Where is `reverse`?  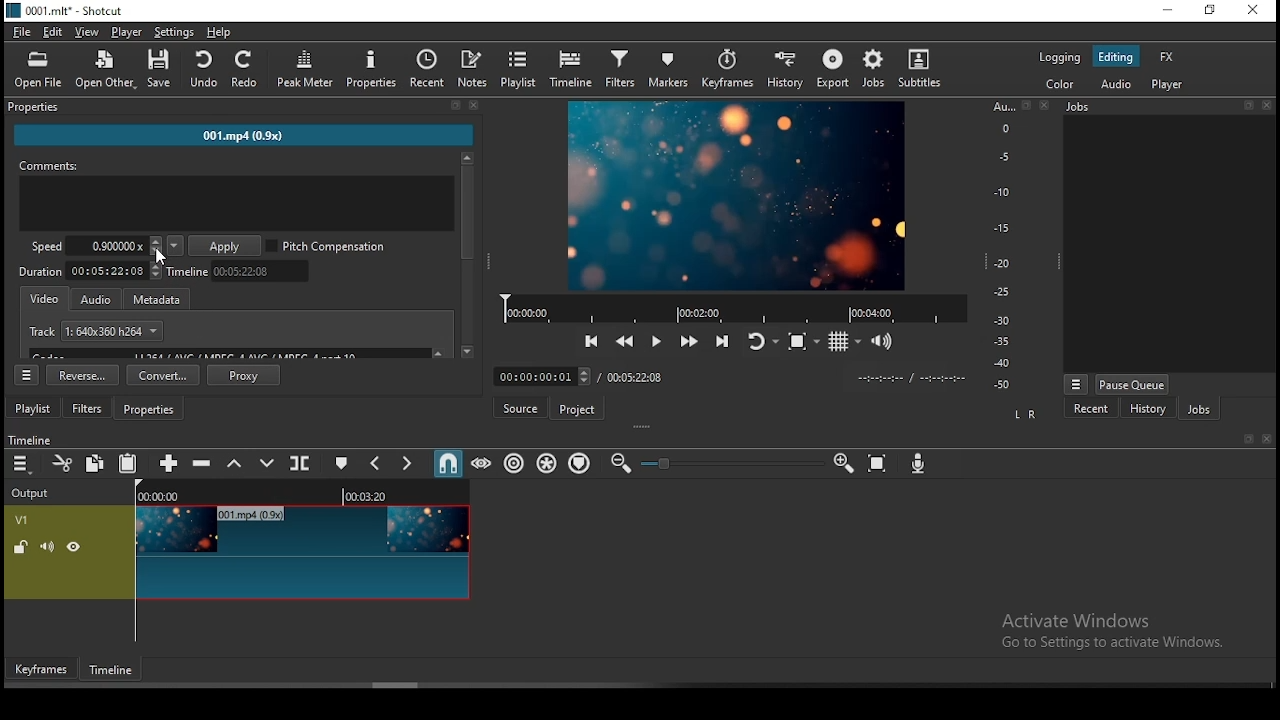 reverse is located at coordinates (83, 375).